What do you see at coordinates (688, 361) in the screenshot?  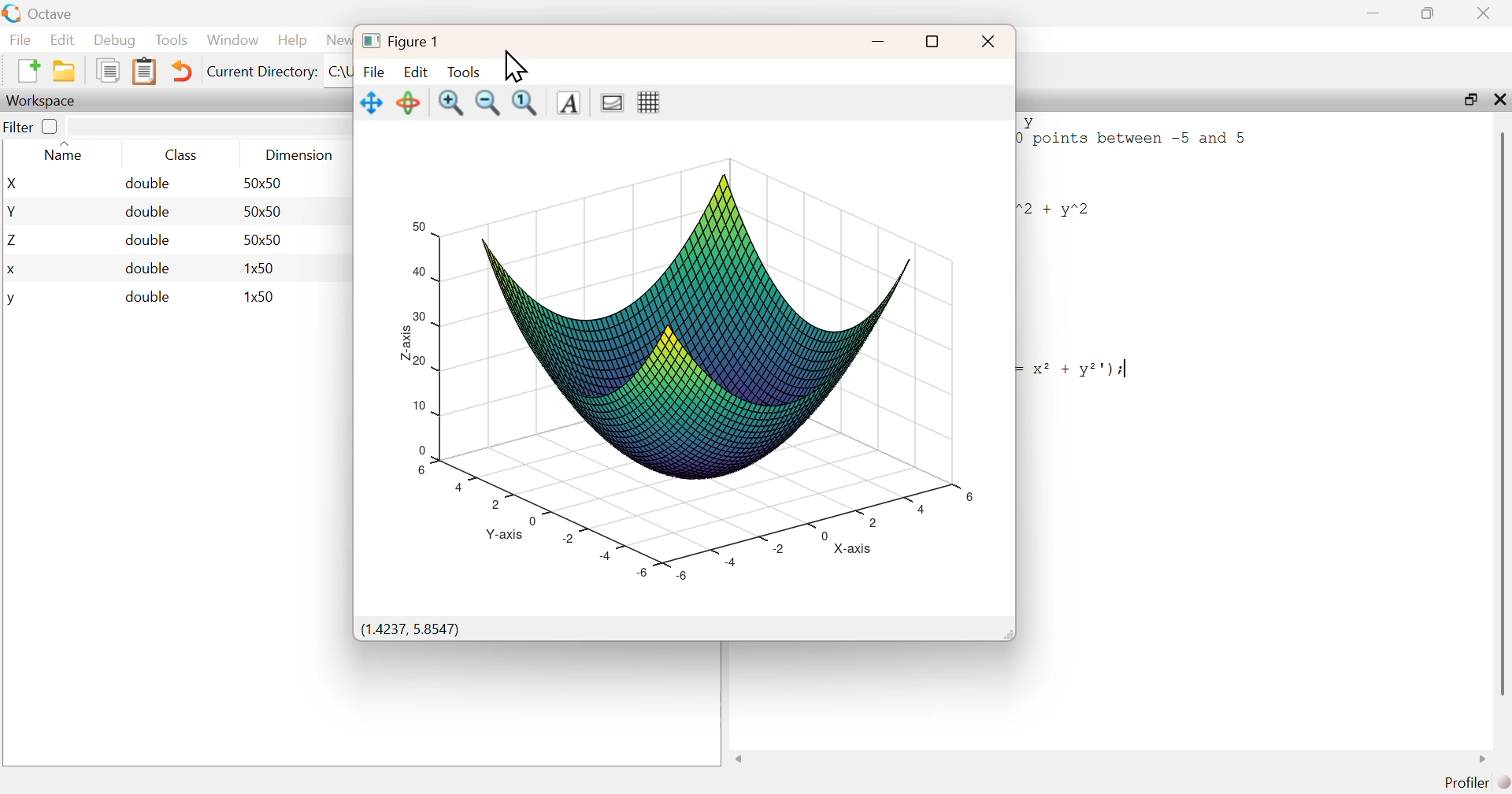 I see `graph` at bounding box center [688, 361].